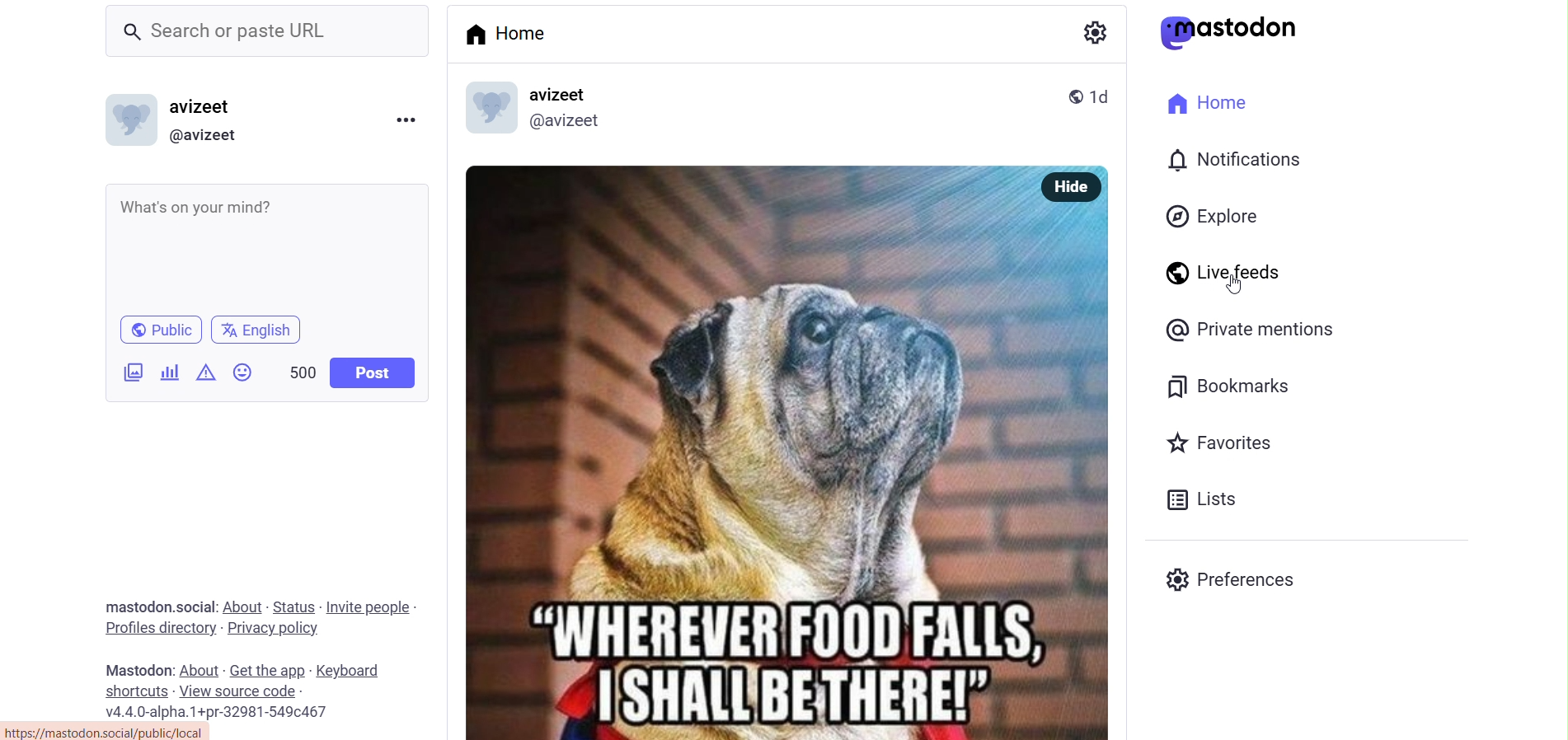 This screenshot has width=1568, height=740. Describe the element at coordinates (163, 330) in the screenshot. I see `public` at that location.